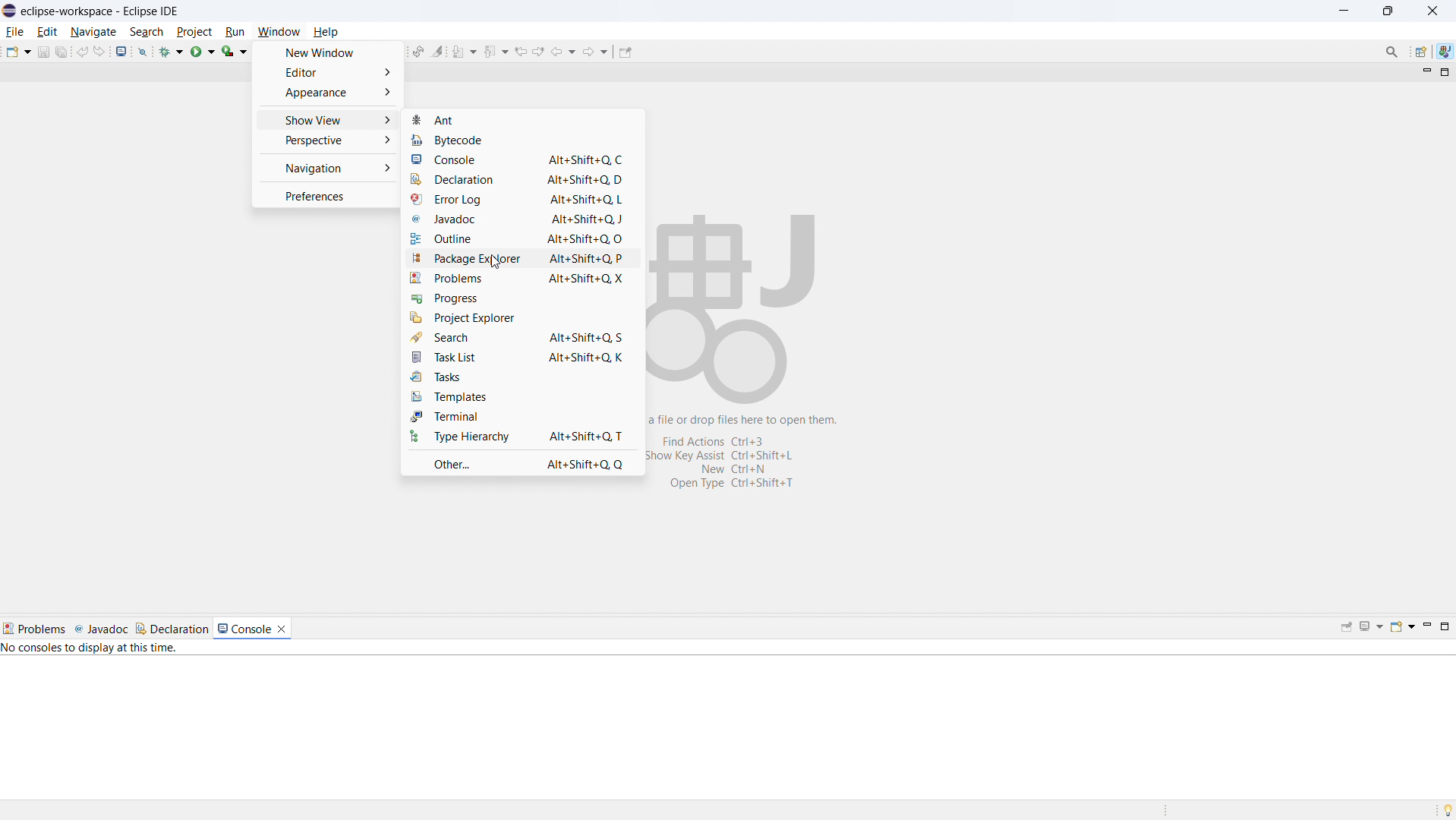 This screenshot has height=820, width=1456. Describe the element at coordinates (519, 219) in the screenshot. I see `javadoc` at that location.